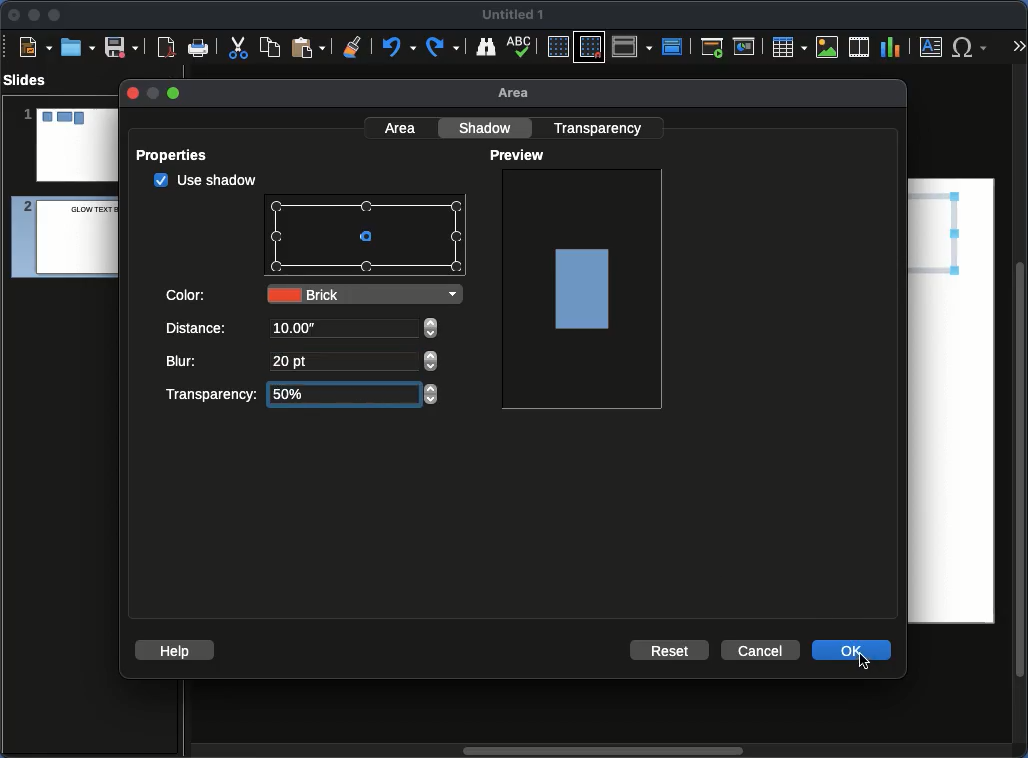 This screenshot has height=758, width=1028. Describe the element at coordinates (1022, 413) in the screenshot. I see `Scroll` at that location.